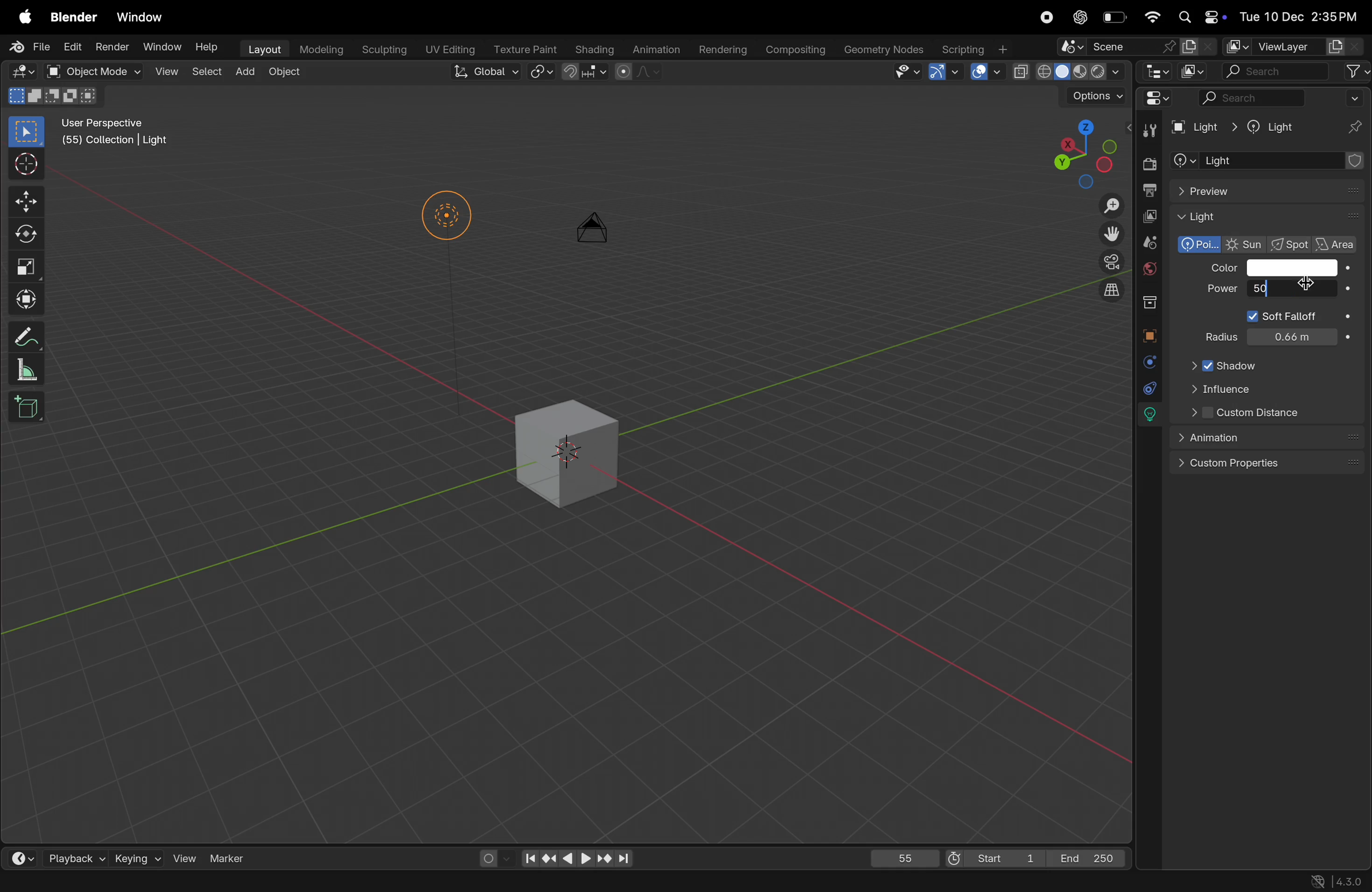 This screenshot has width=1372, height=892. What do you see at coordinates (1147, 217) in the screenshot?
I see `view layer` at bounding box center [1147, 217].